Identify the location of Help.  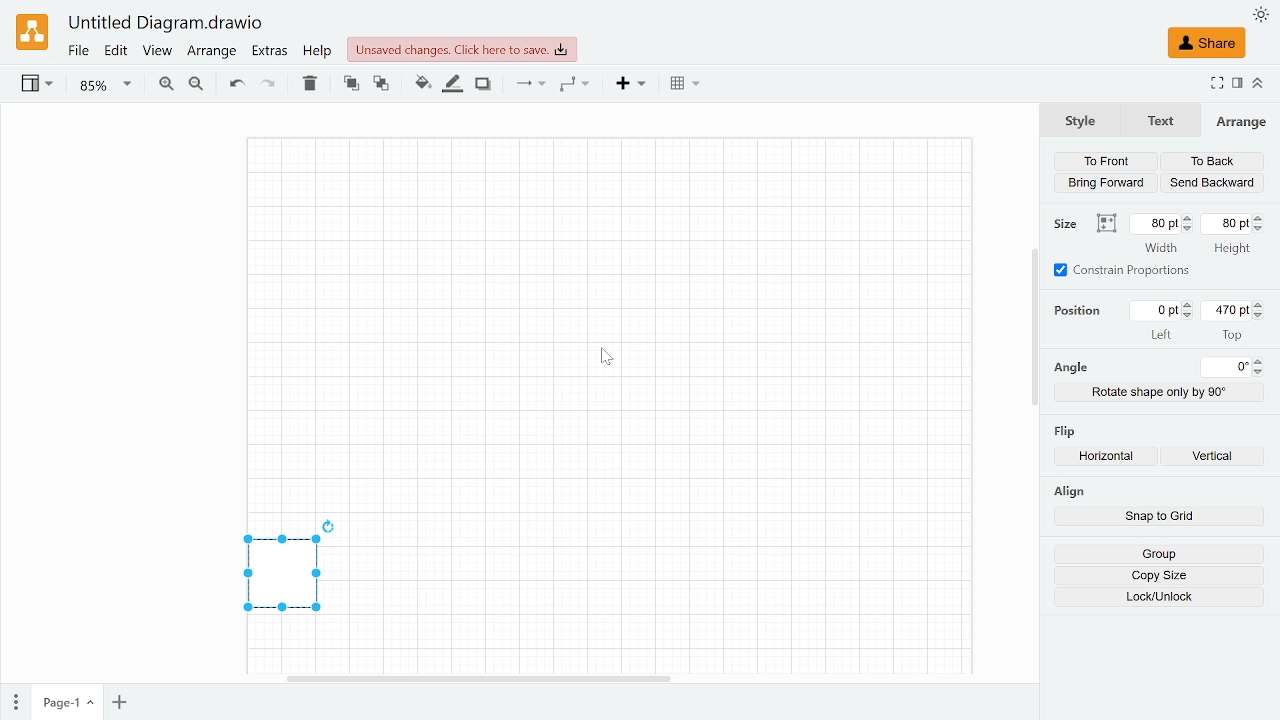
(318, 51).